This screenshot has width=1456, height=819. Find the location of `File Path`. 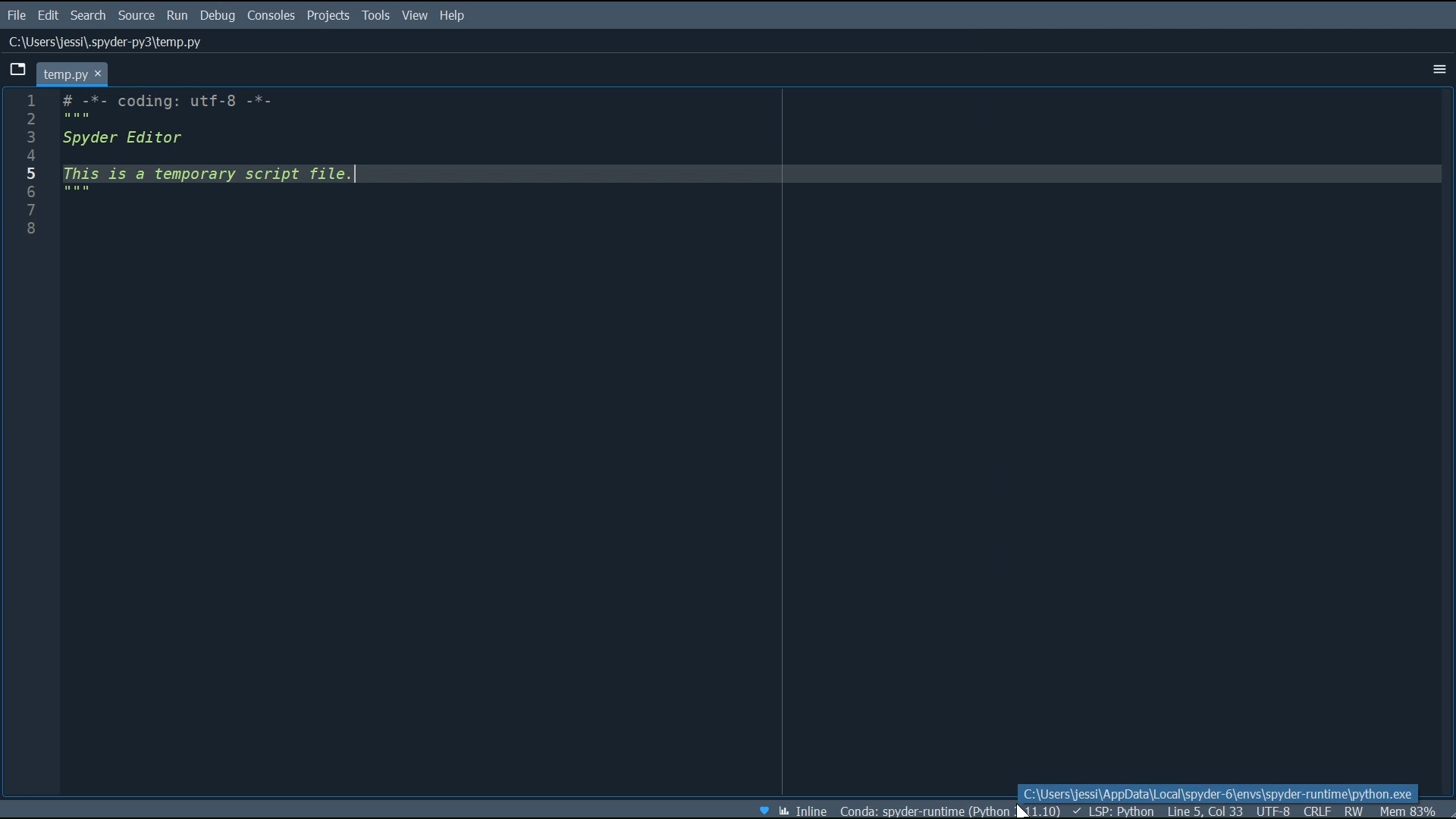

File Path is located at coordinates (104, 42).